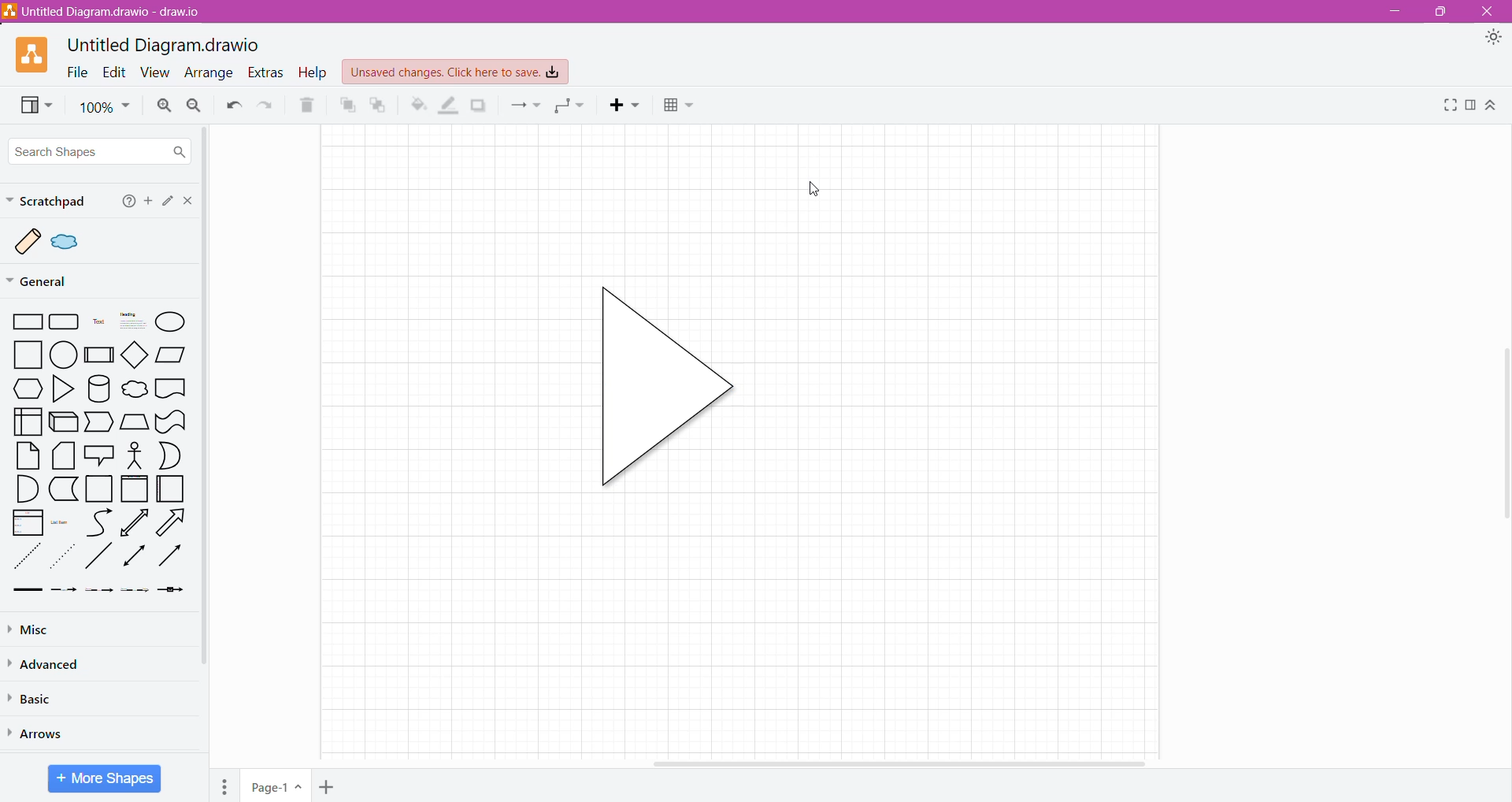 This screenshot has height=802, width=1512. I want to click on Restore Down, so click(1441, 12).